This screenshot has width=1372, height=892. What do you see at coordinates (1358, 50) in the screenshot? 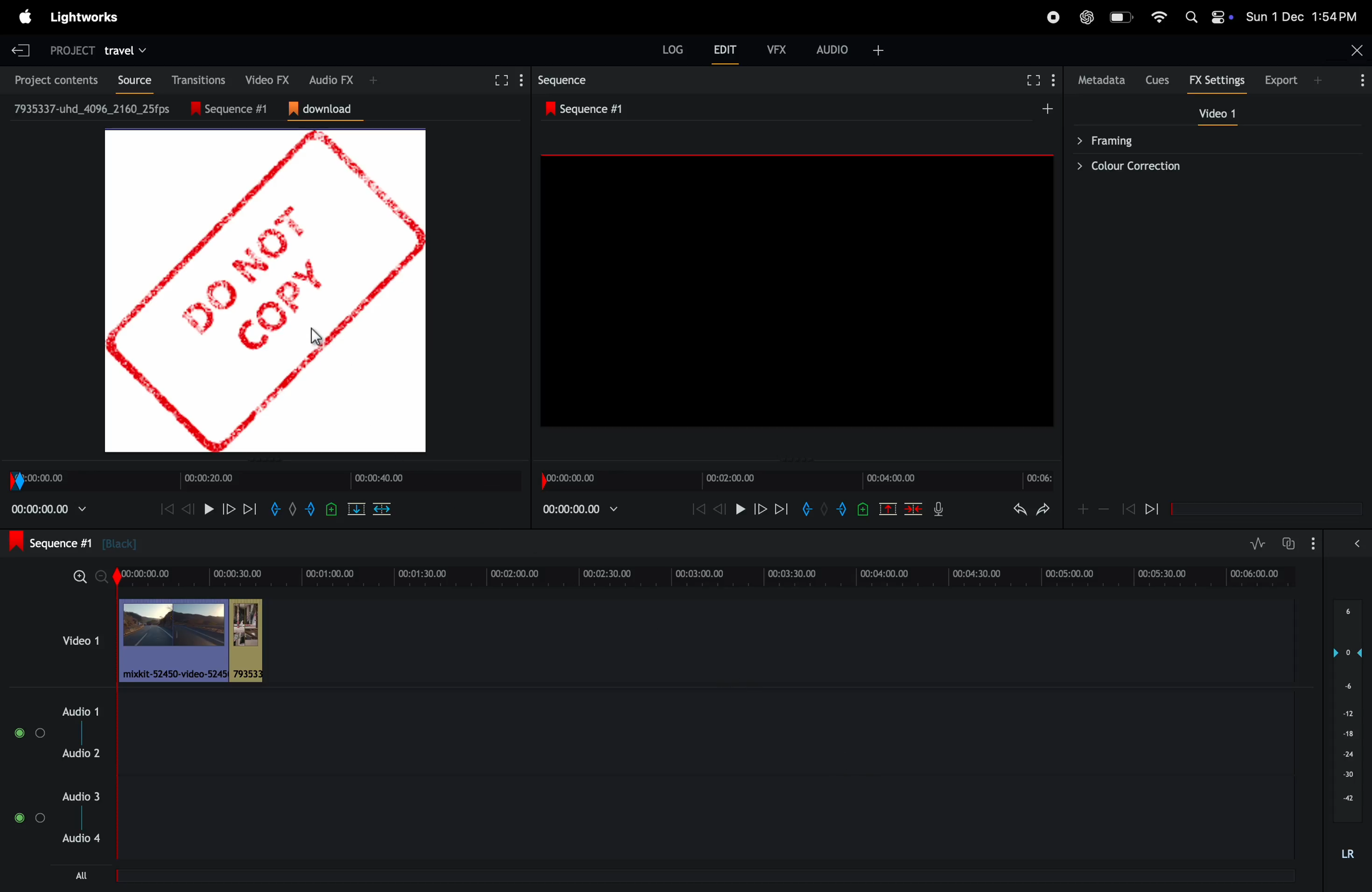
I see `close` at bounding box center [1358, 50].